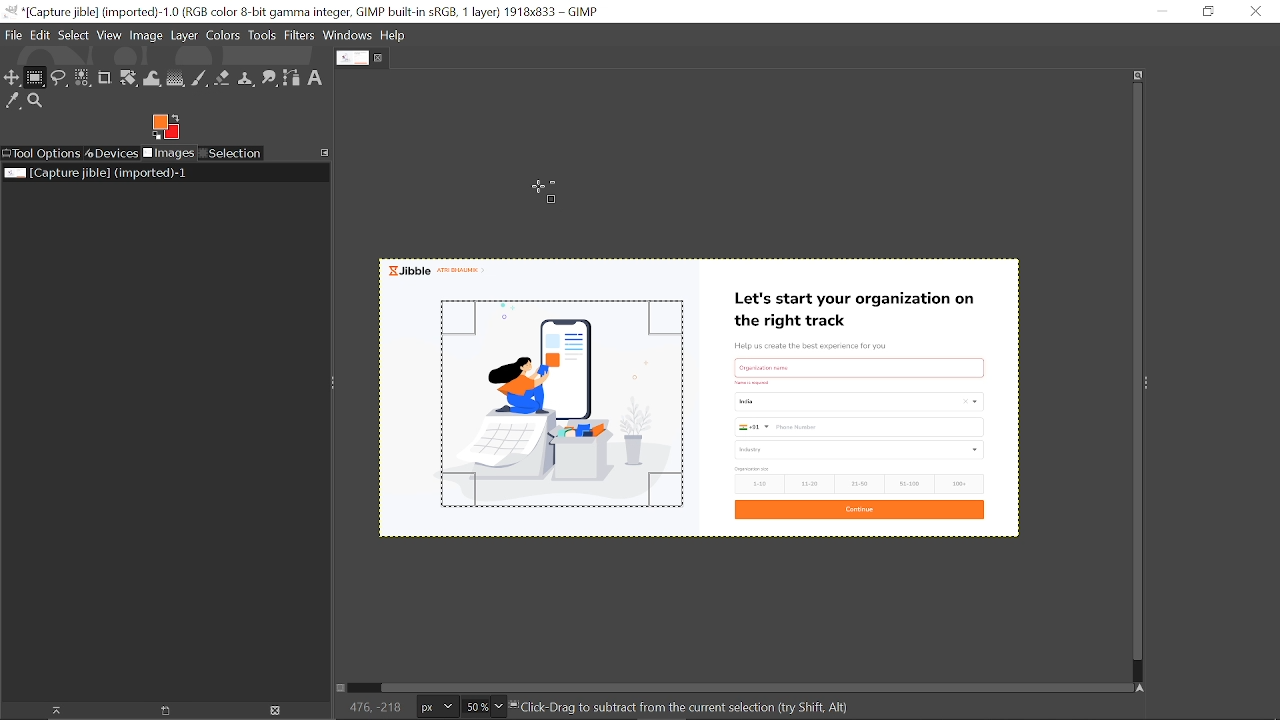  What do you see at coordinates (474, 708) in the screenshot?
I see `Current zoom` at bounding box center [474, 708].